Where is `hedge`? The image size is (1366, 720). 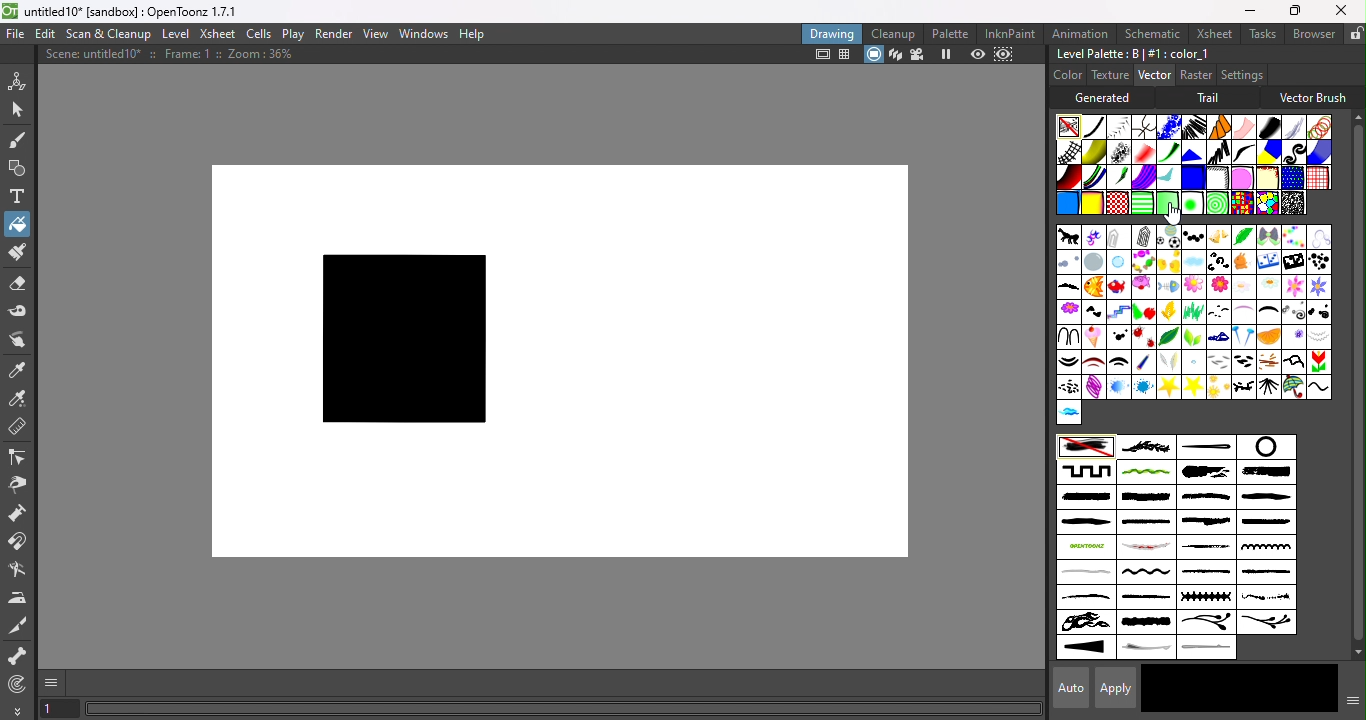 hedge is located at coordinates (1319, 311).